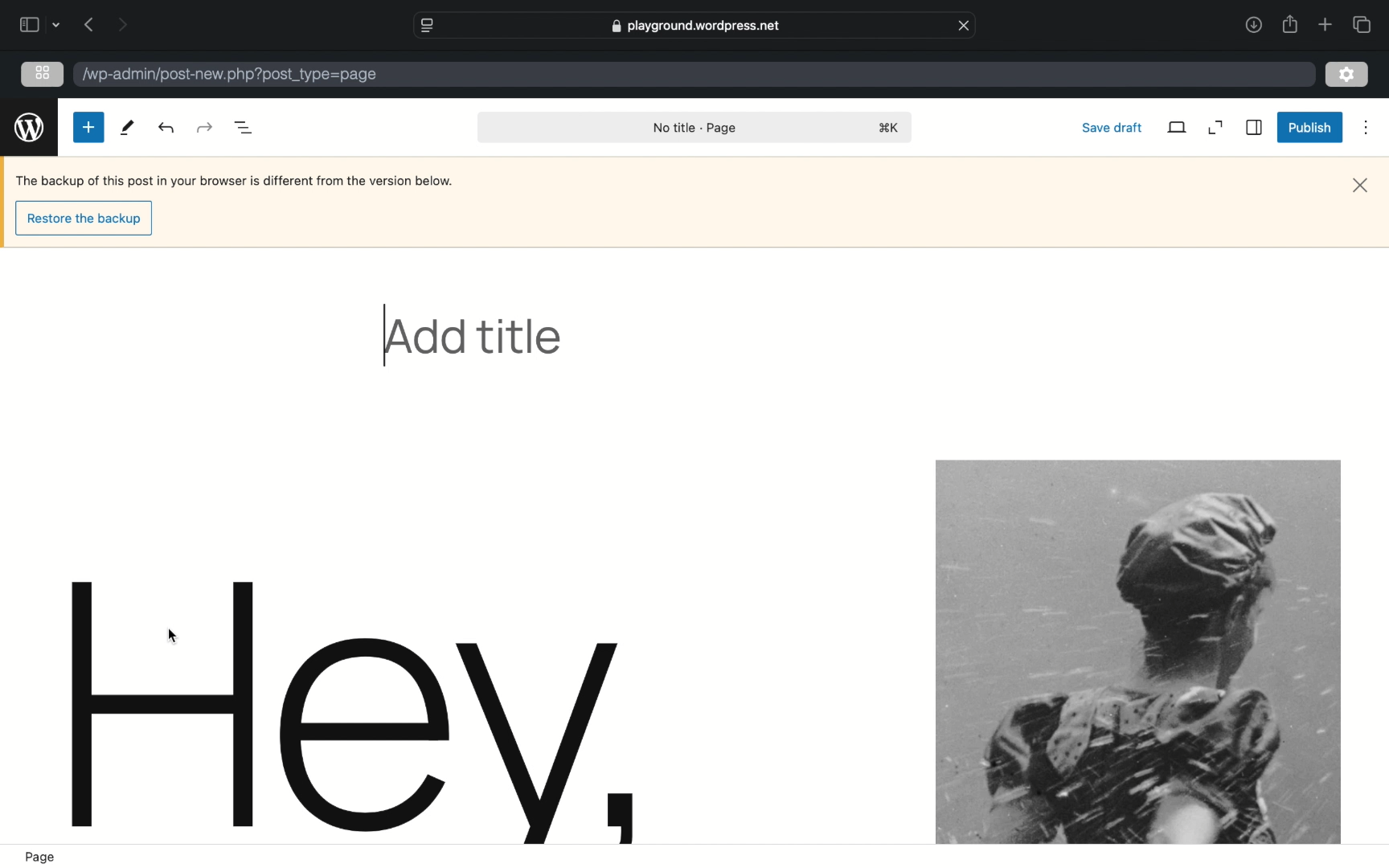  I want to click on shortcut, so click(887, 127).